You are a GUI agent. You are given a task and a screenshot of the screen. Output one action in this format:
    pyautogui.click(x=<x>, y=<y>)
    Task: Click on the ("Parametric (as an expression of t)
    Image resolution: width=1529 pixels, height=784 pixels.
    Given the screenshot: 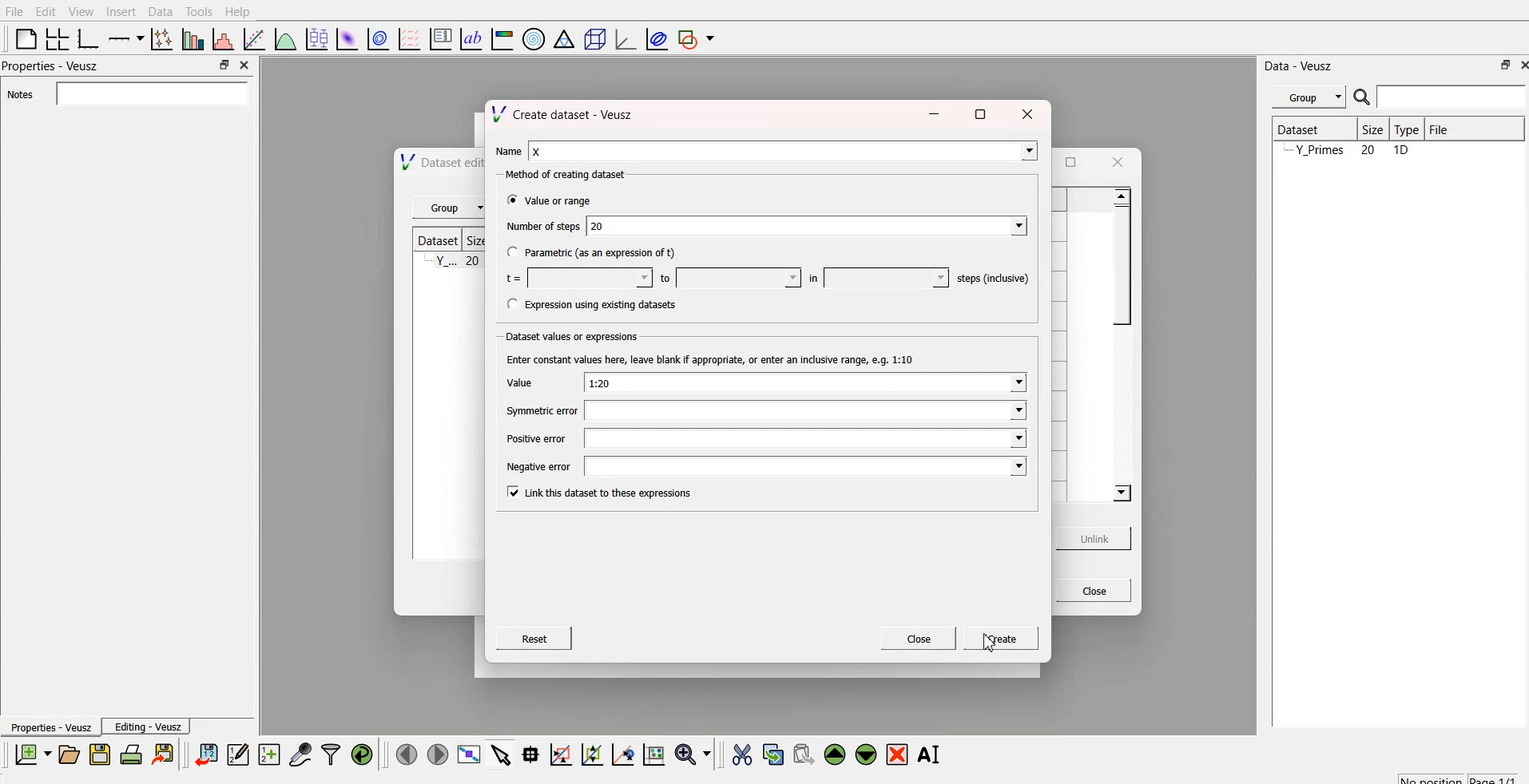 What is the action you would take?
    pyautogui.click(x=595, y=252)
    